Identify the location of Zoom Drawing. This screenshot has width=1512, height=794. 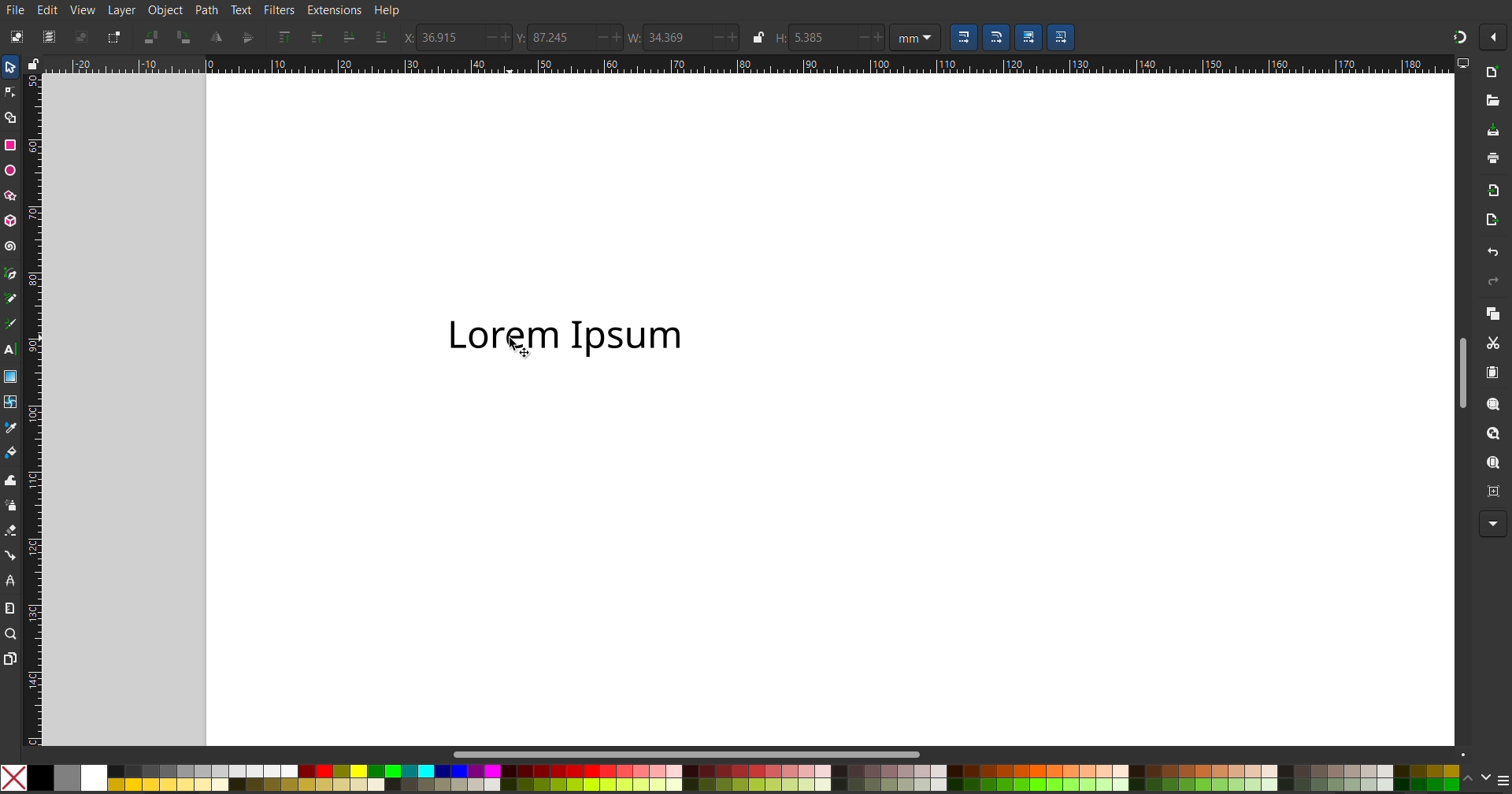
(1488, 433).